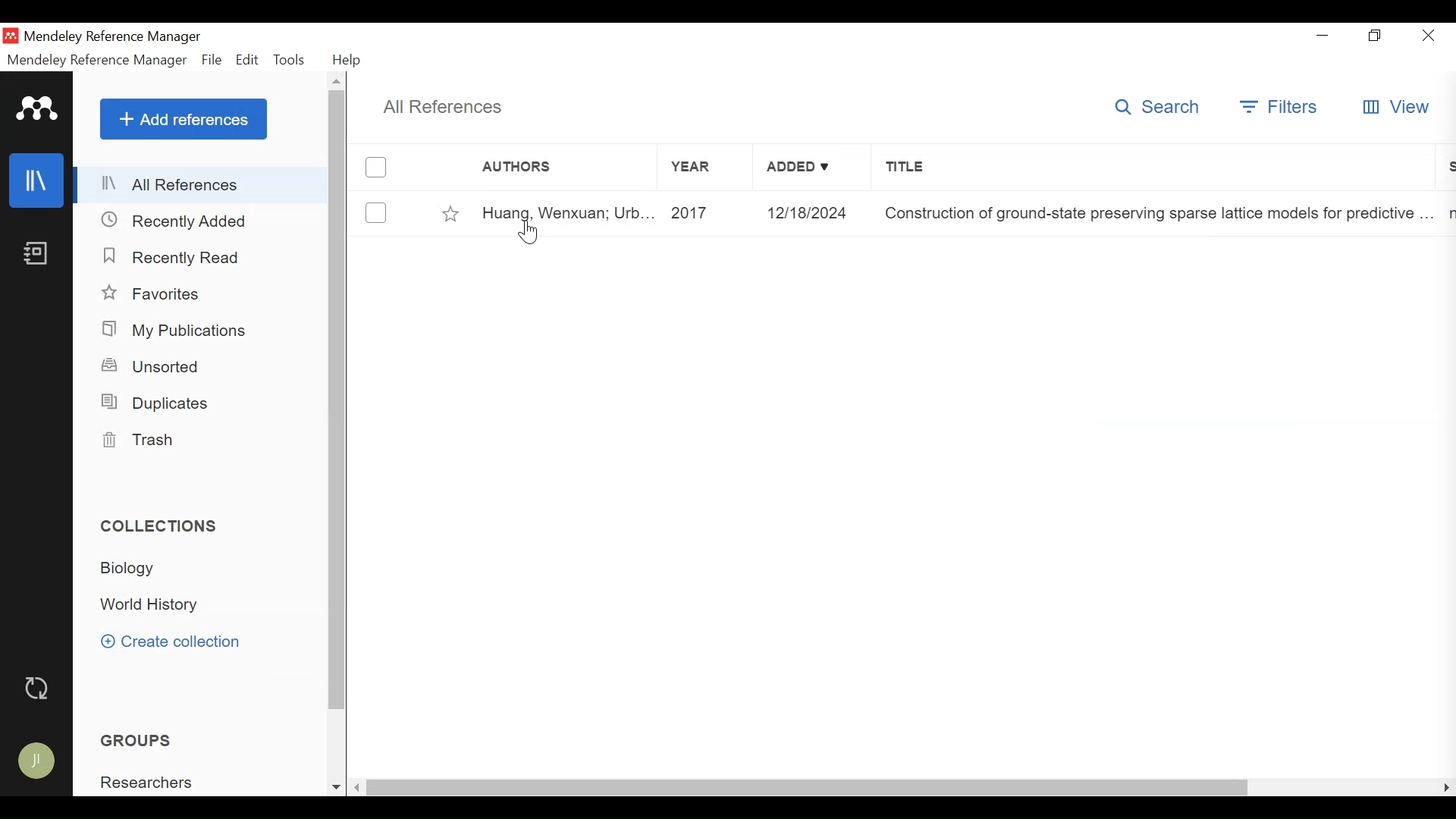  What do you see at coordinates (176, 330) in the screenshot?
I see `My Publications` at bounding box center [176, 330].